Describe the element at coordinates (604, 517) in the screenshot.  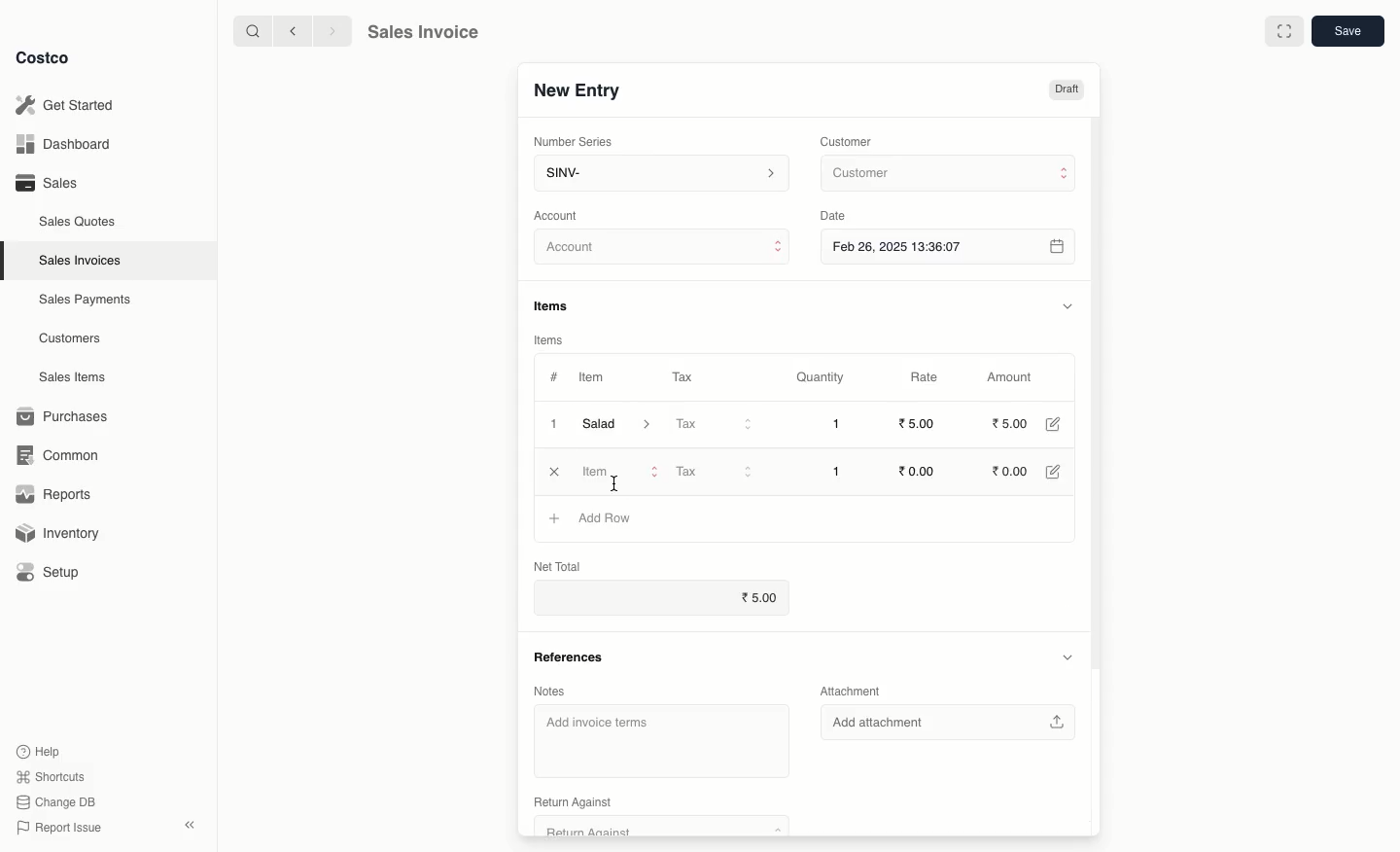
I see `Add Row` at that location.